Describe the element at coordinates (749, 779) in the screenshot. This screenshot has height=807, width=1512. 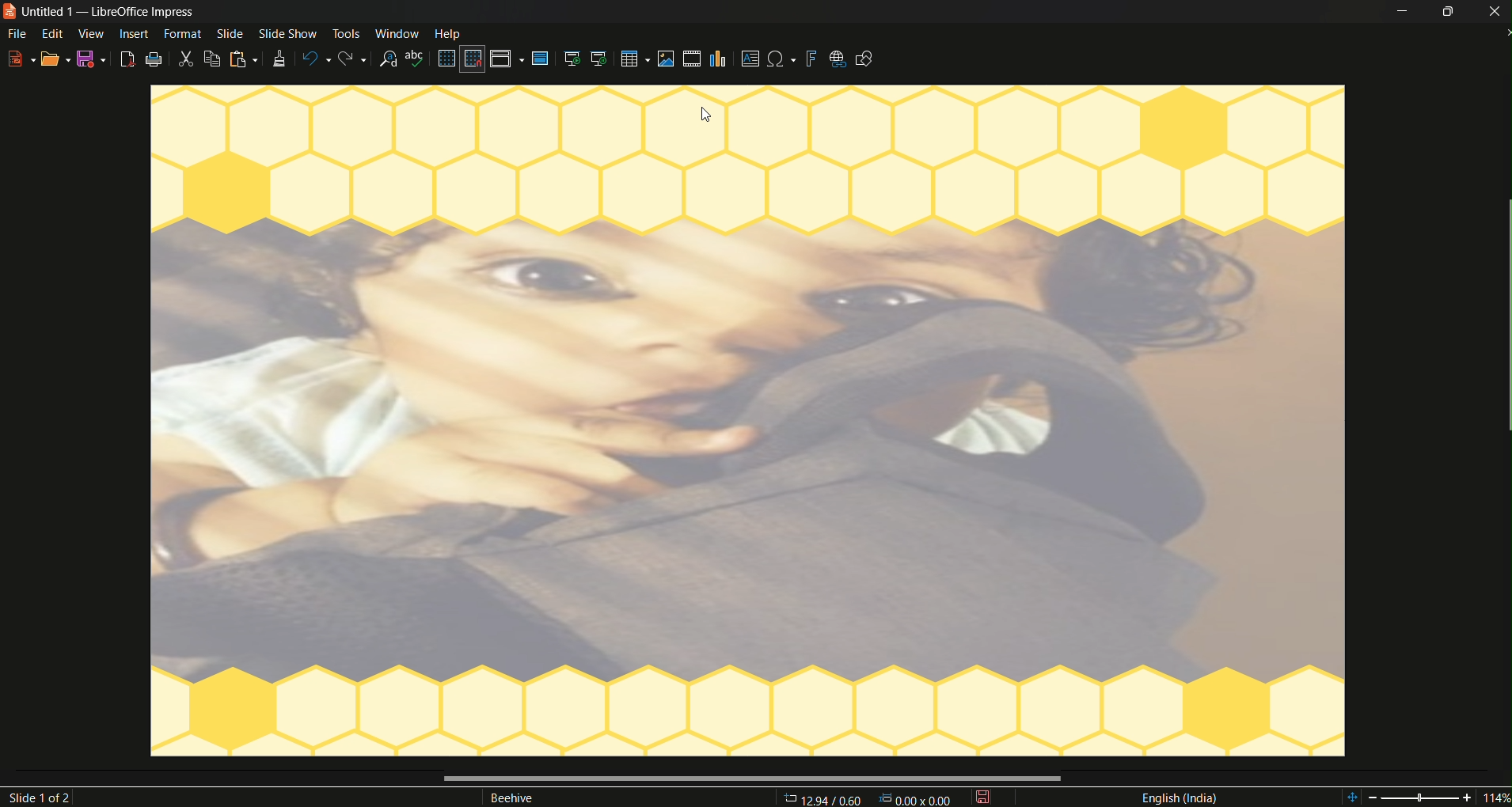
I see `scrollbar` at that location.